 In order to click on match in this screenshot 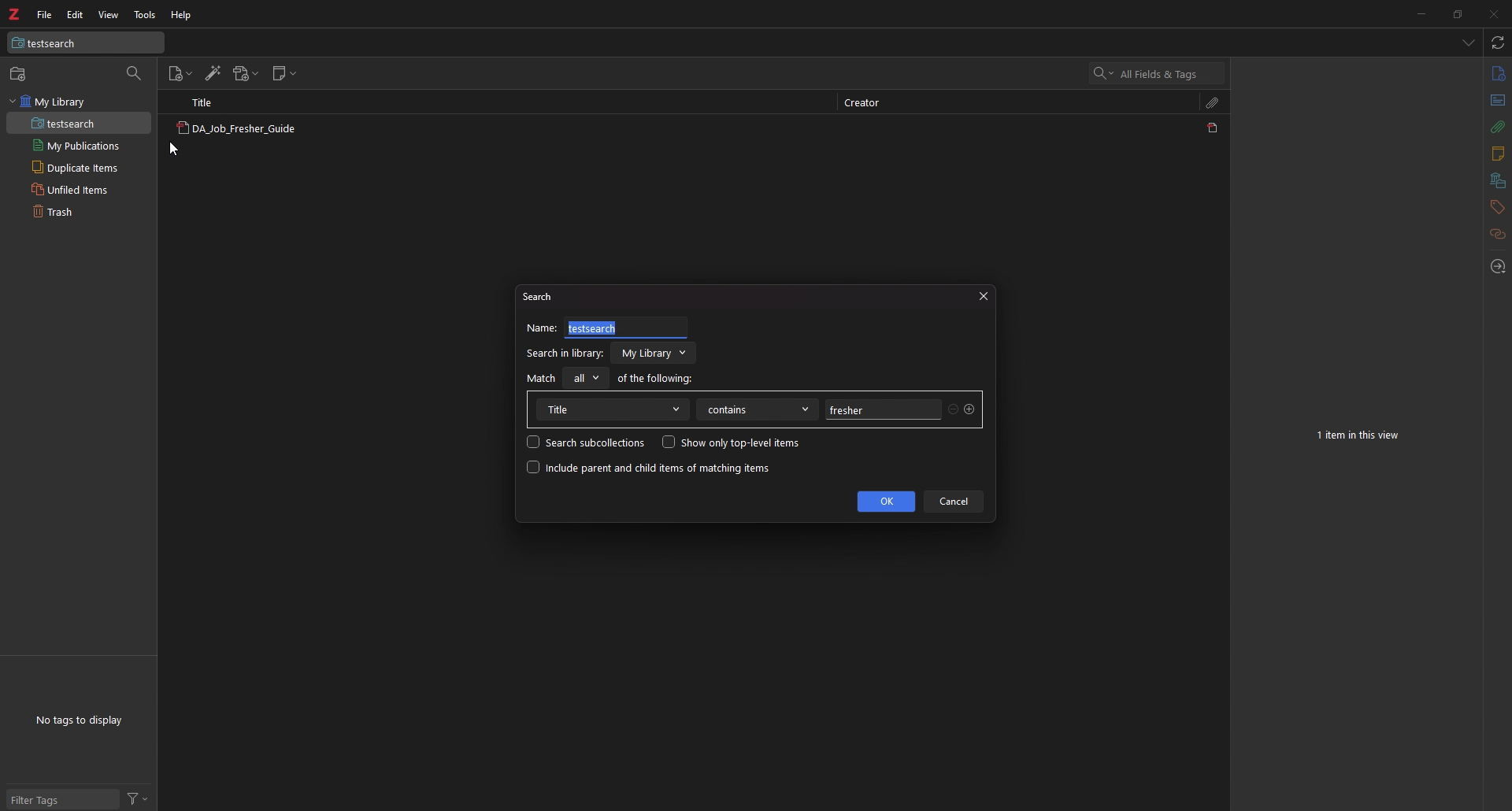, I will do `click(542, 378)`.